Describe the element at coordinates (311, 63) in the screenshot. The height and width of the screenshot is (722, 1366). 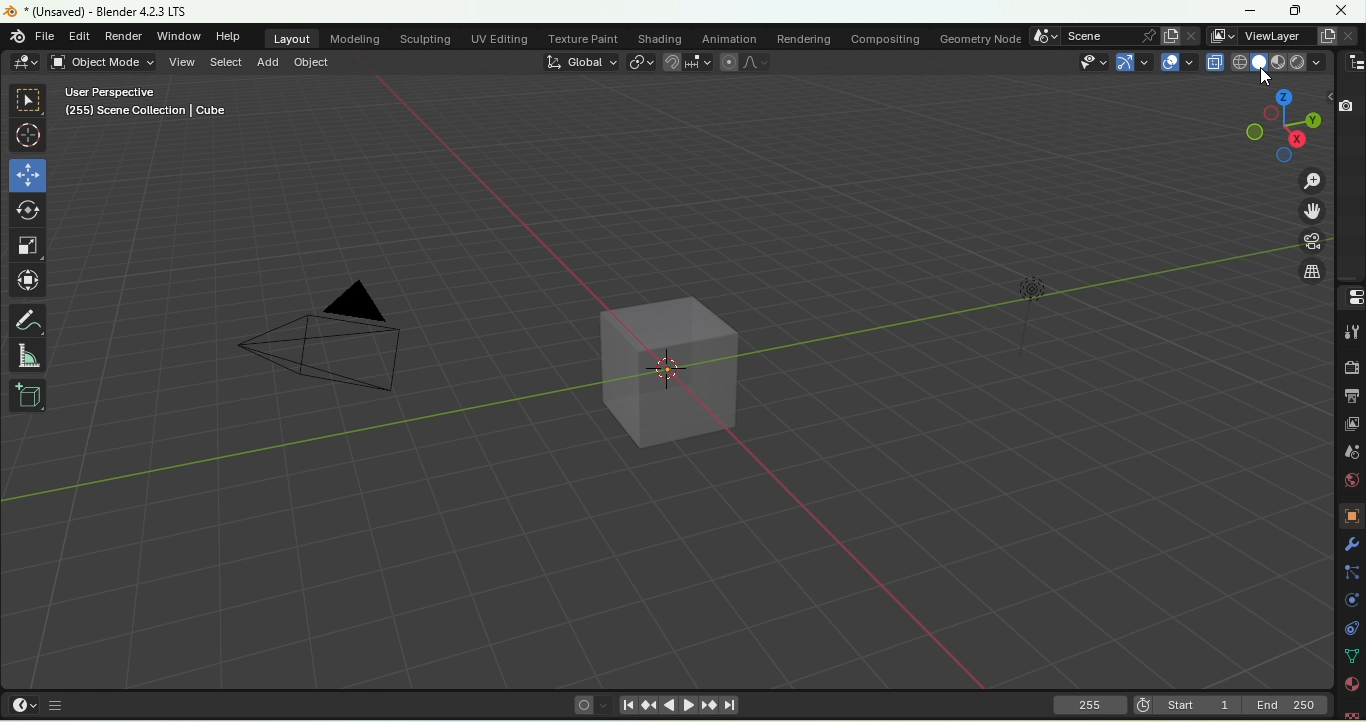
I see `Object` at that location.